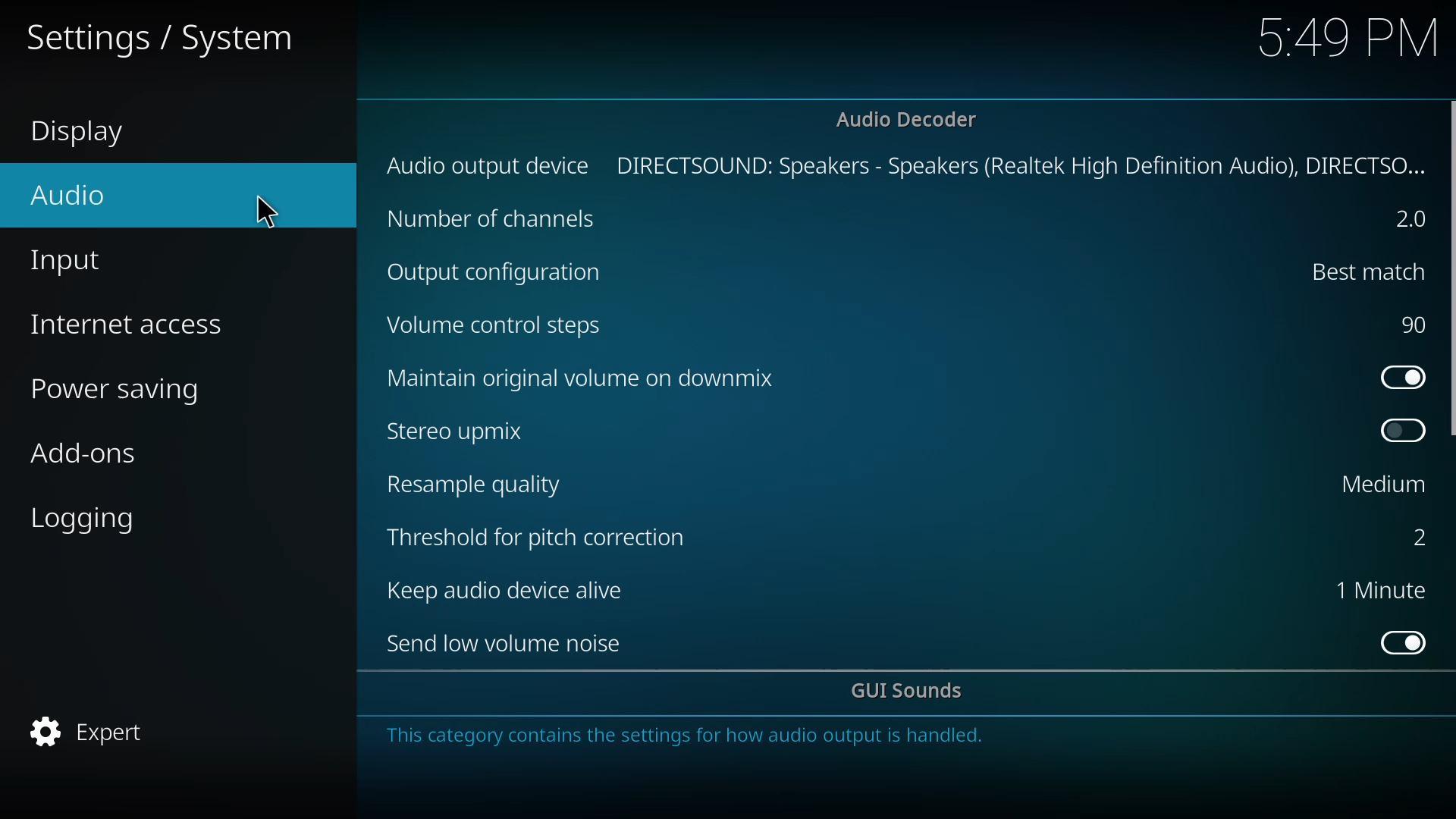 The image size is (1456, 819). Describe the element at coordinates (508, 645) in the screenshot. I see `send low volume noise` at that location.